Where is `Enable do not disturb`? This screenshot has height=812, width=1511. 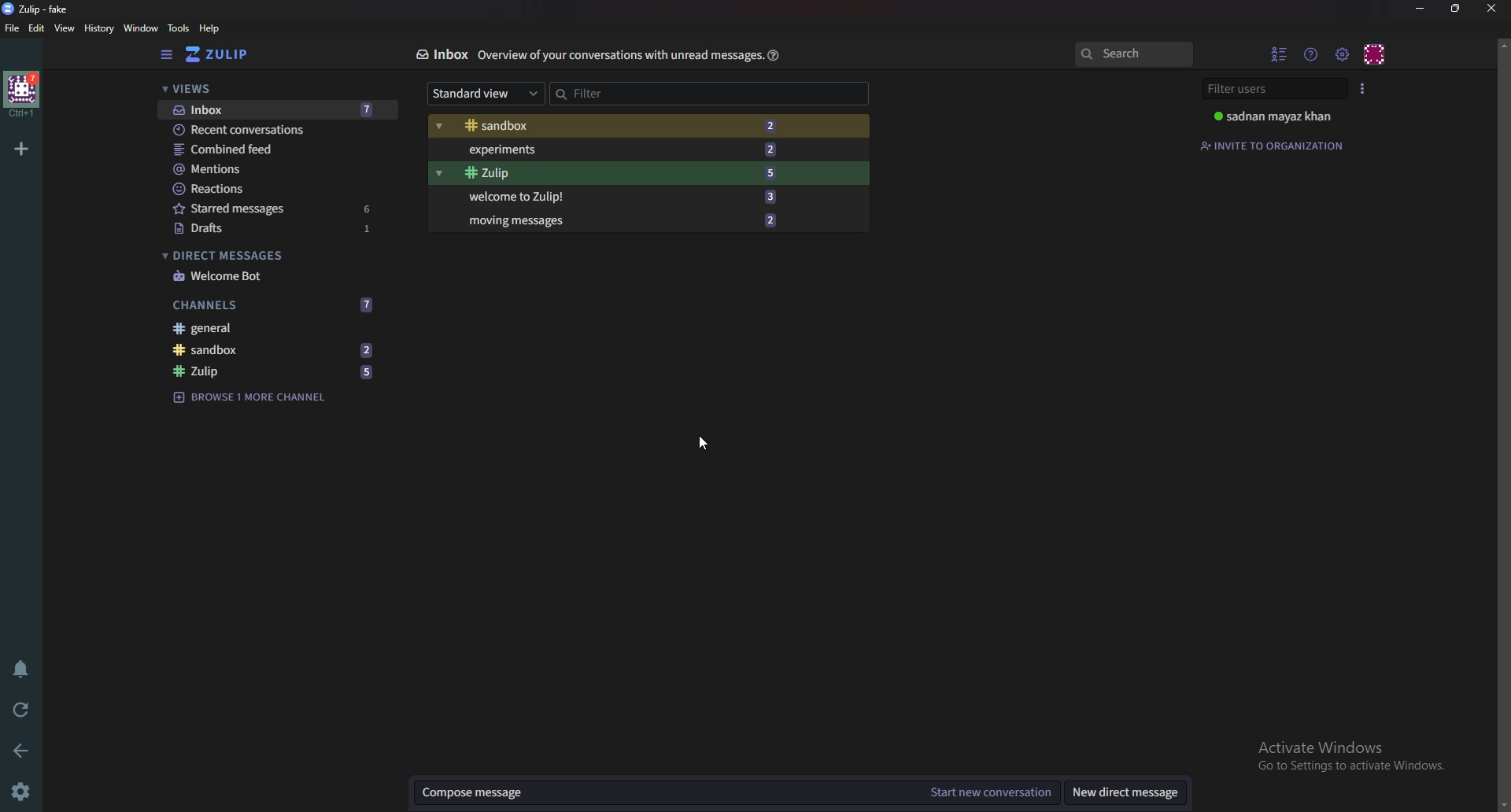
Enable do not disturb is located at coordinates (21, 668).